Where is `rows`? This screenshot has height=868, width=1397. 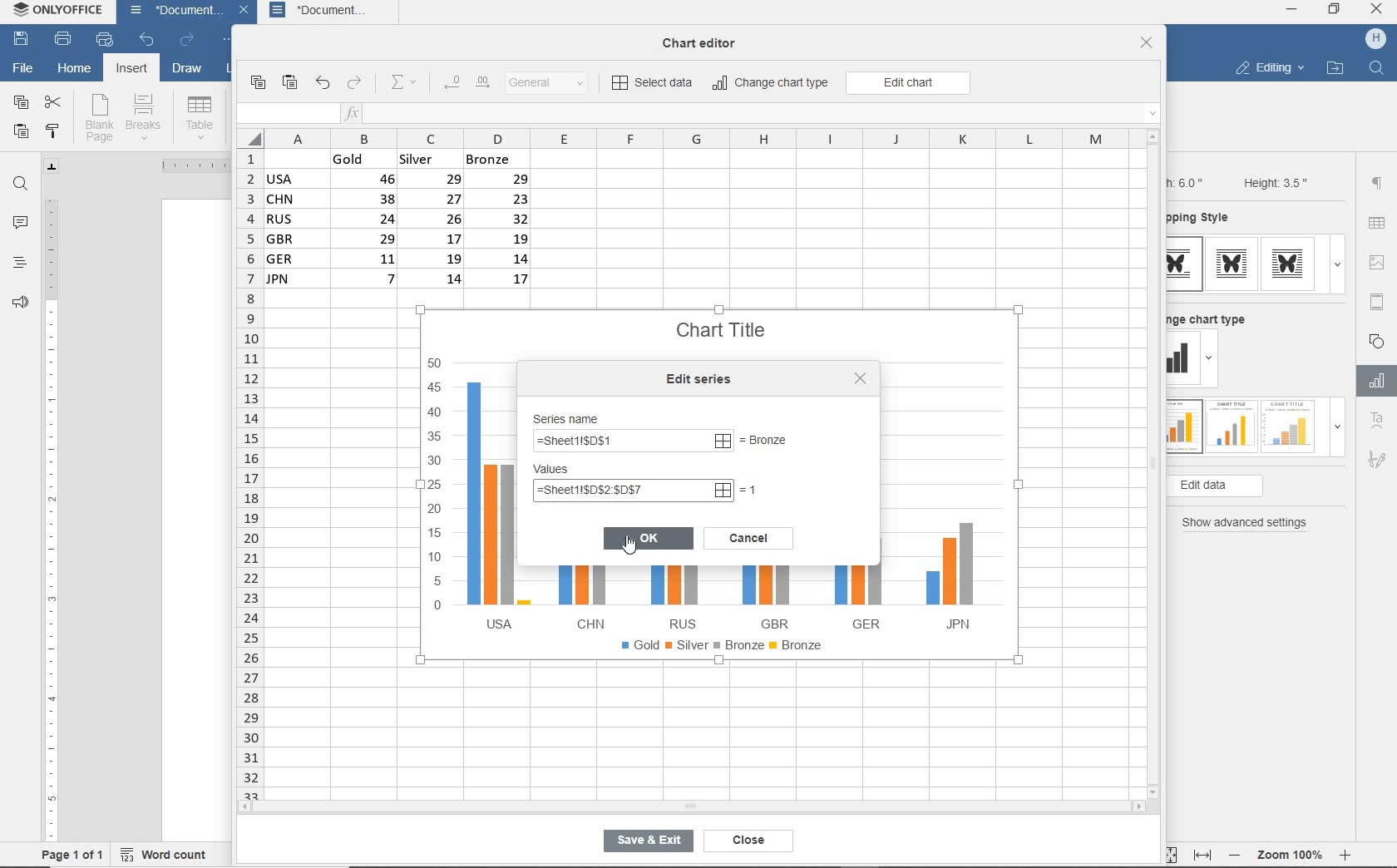 rows is located at coordinates (248, 473).